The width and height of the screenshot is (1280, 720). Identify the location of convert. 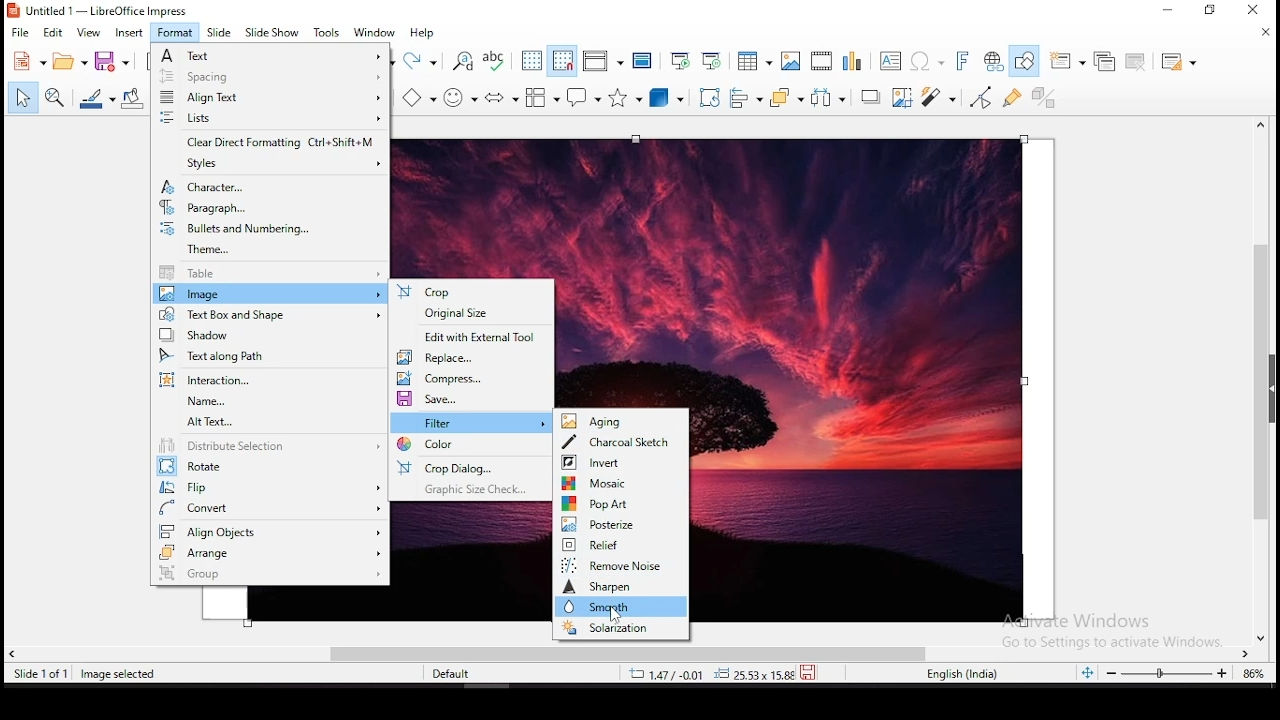
(272, 508).